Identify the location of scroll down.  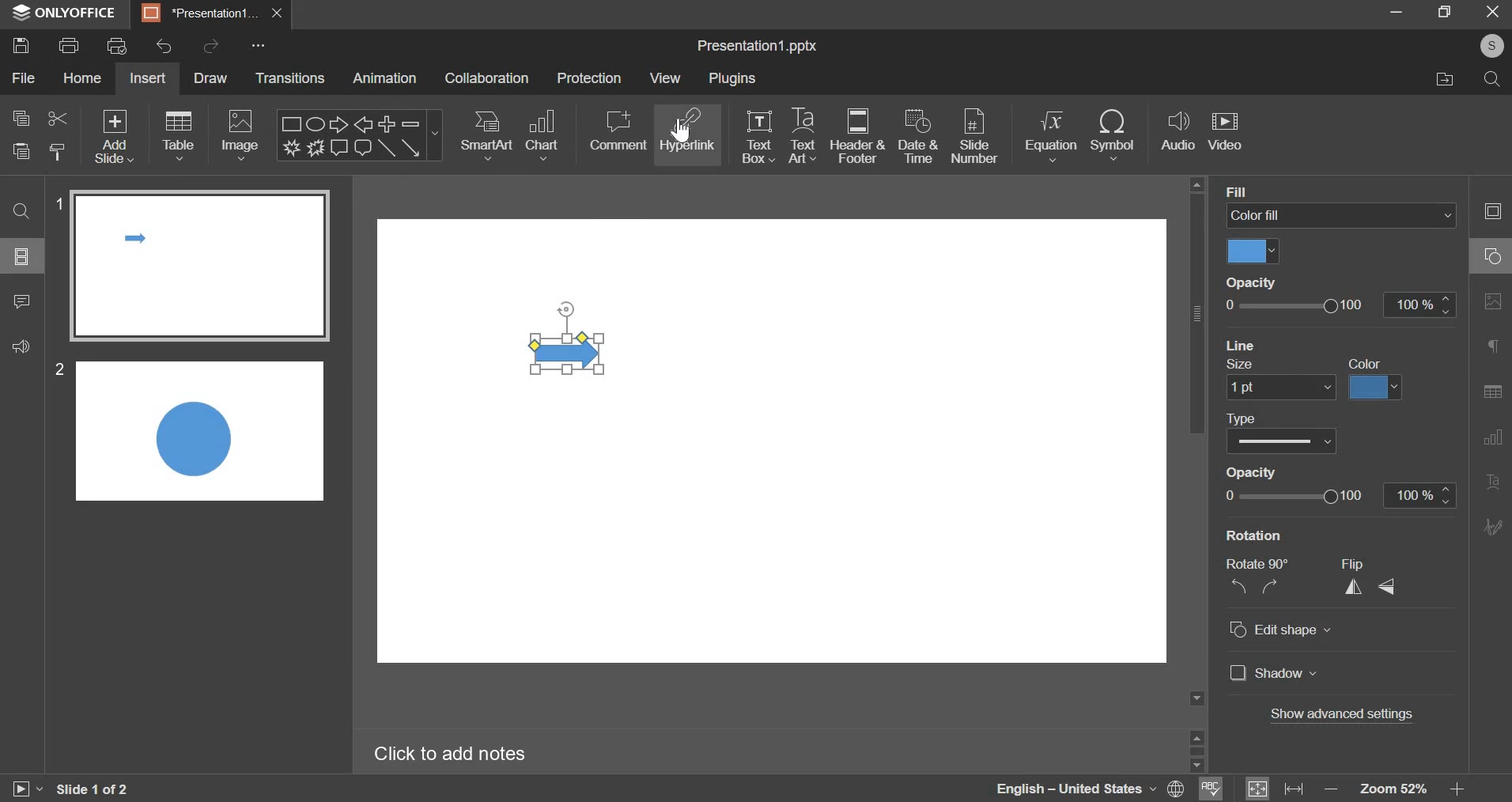
(1199, 766).